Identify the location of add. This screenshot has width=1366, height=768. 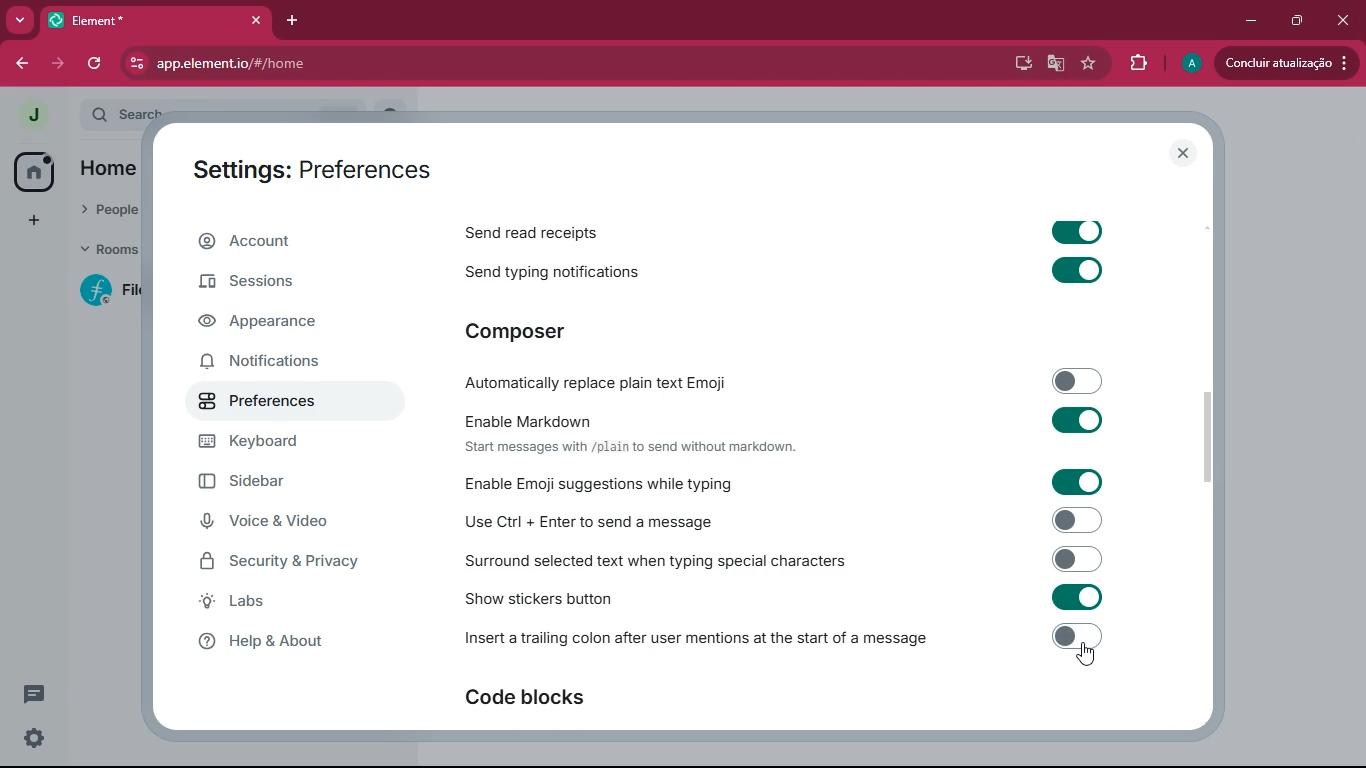
(32, 220).